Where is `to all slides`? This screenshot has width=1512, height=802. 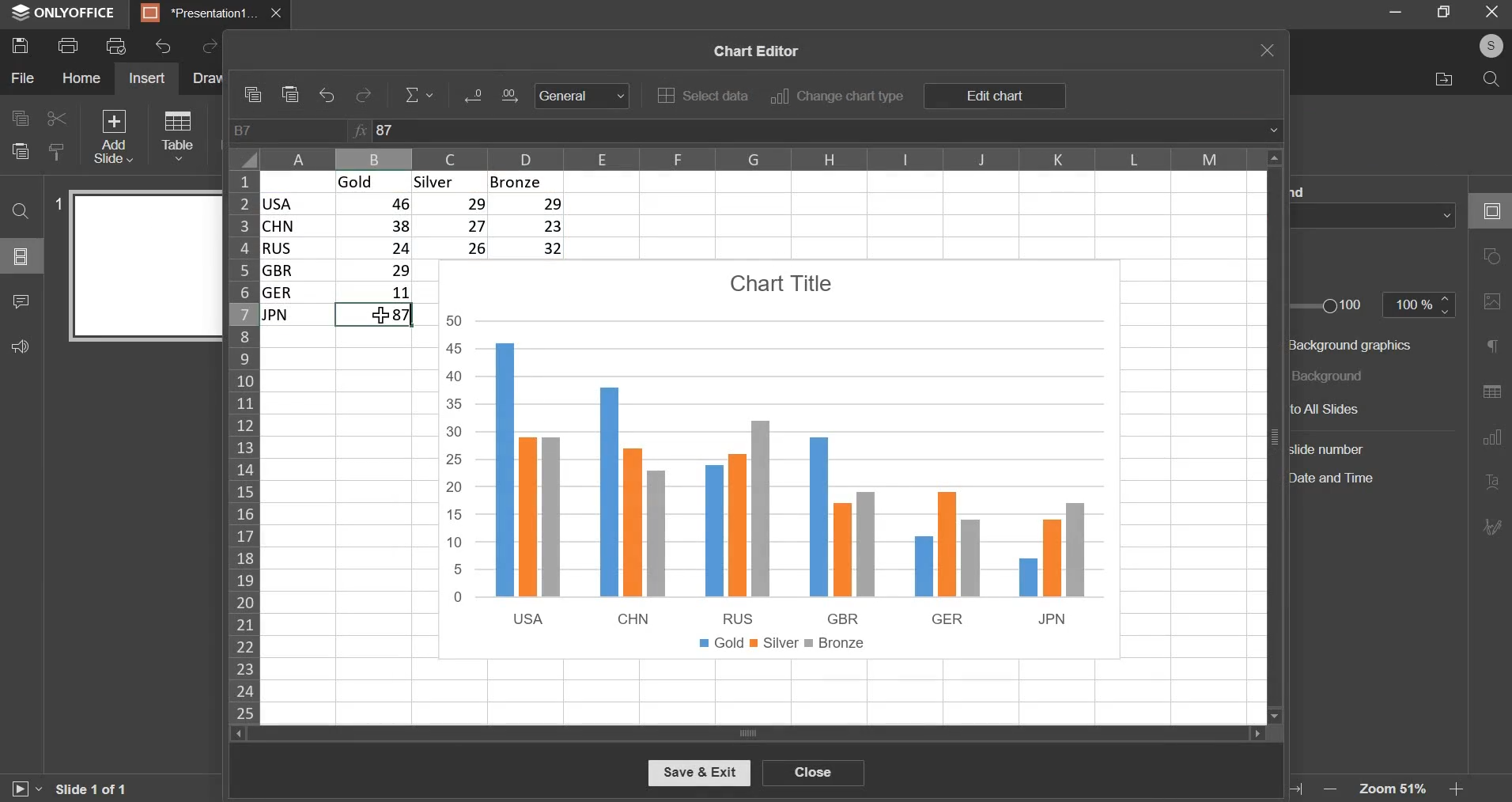
to all slides is located at coordinates (1351, 409).